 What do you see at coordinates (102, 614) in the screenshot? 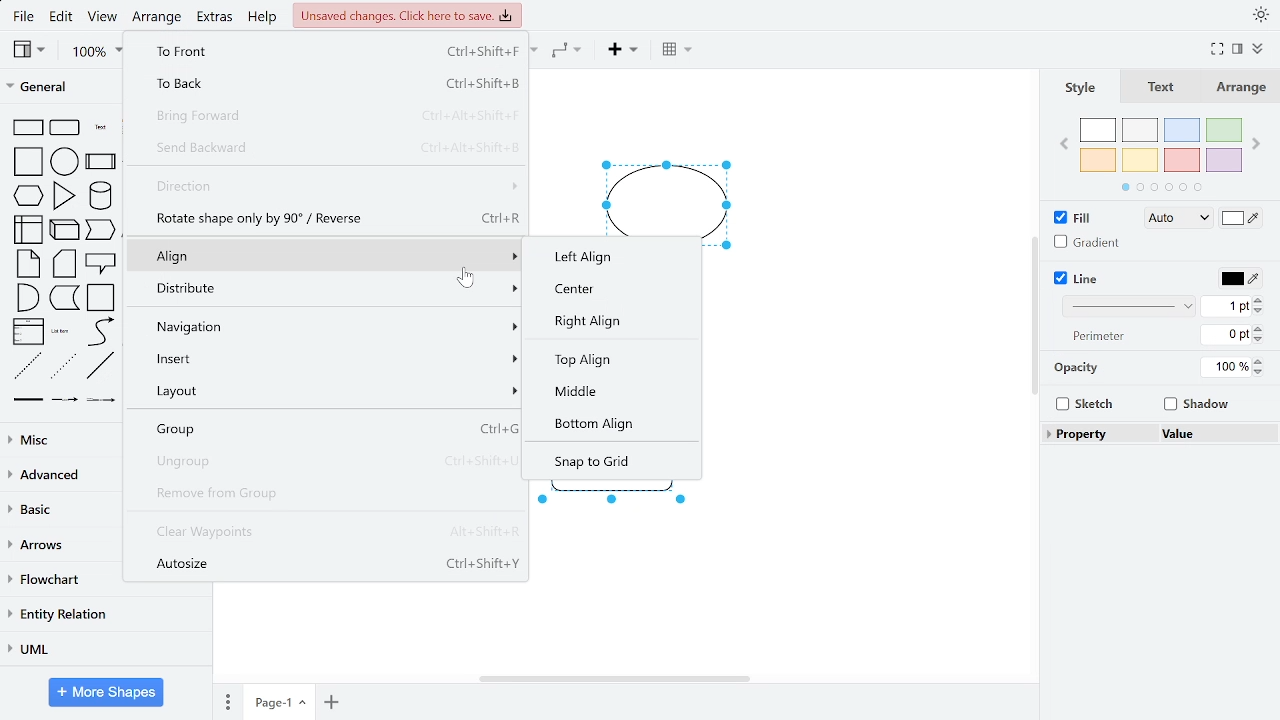
I see `entity relation` at bounding box center [102, 614].